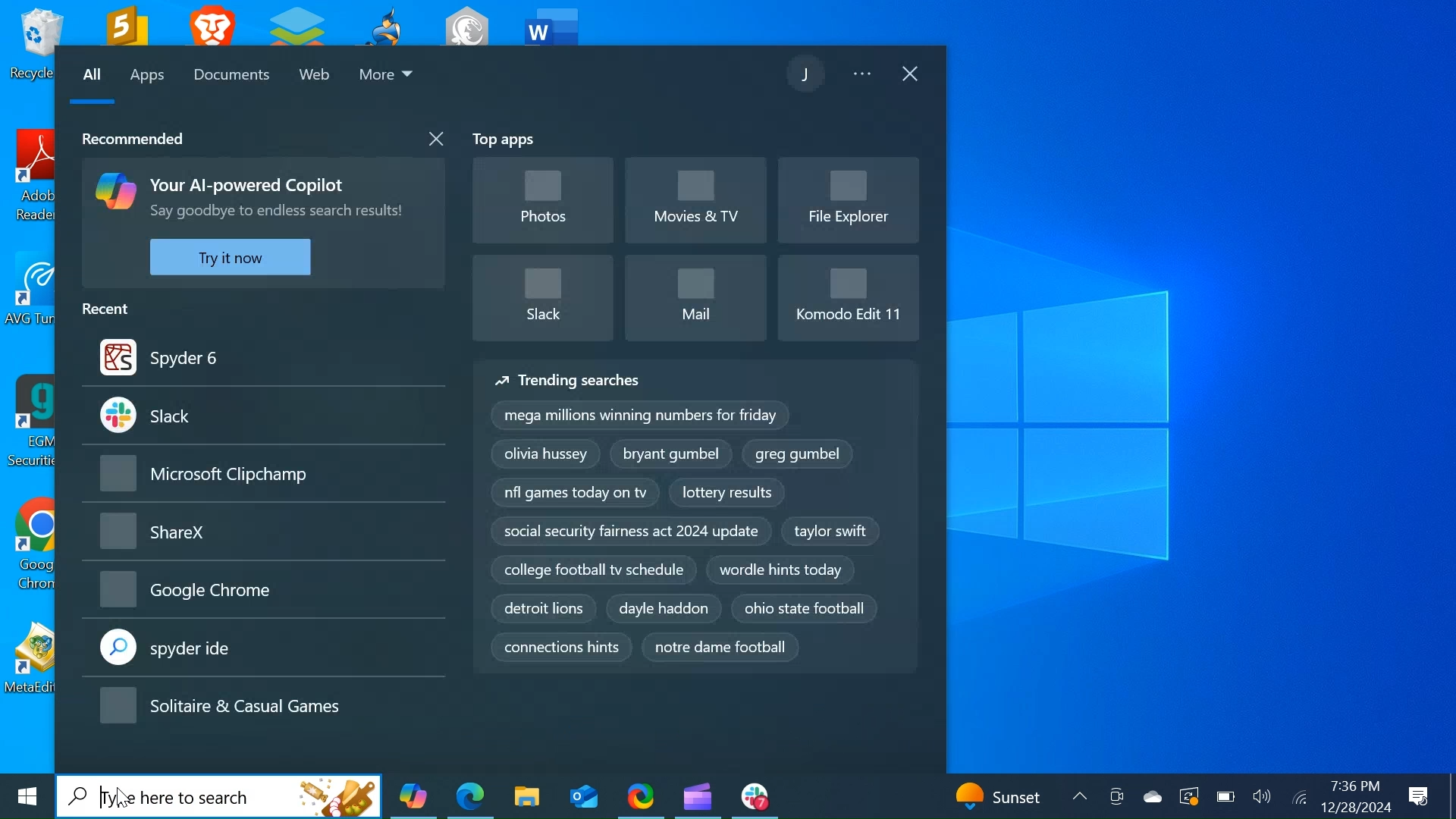 Image resolution: width=1456 pixels, height=819 pixels. Describe the element at coordinates (755, 796) in the screenshot. I see `Slack` at that location.